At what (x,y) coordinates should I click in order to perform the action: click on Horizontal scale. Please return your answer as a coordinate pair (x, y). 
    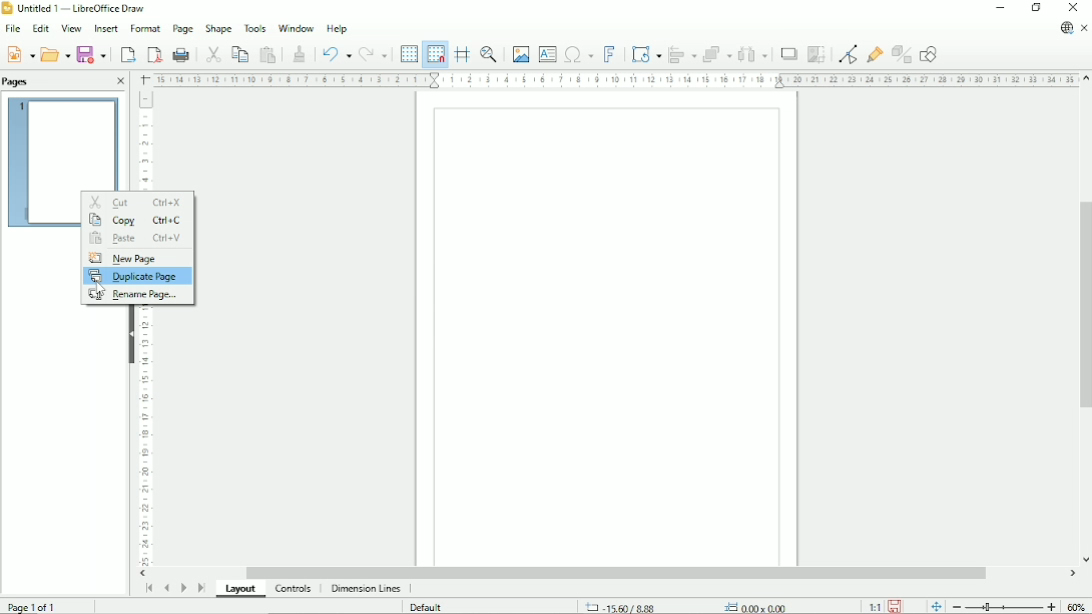
    Looking at the image, I should click on (614, 79).